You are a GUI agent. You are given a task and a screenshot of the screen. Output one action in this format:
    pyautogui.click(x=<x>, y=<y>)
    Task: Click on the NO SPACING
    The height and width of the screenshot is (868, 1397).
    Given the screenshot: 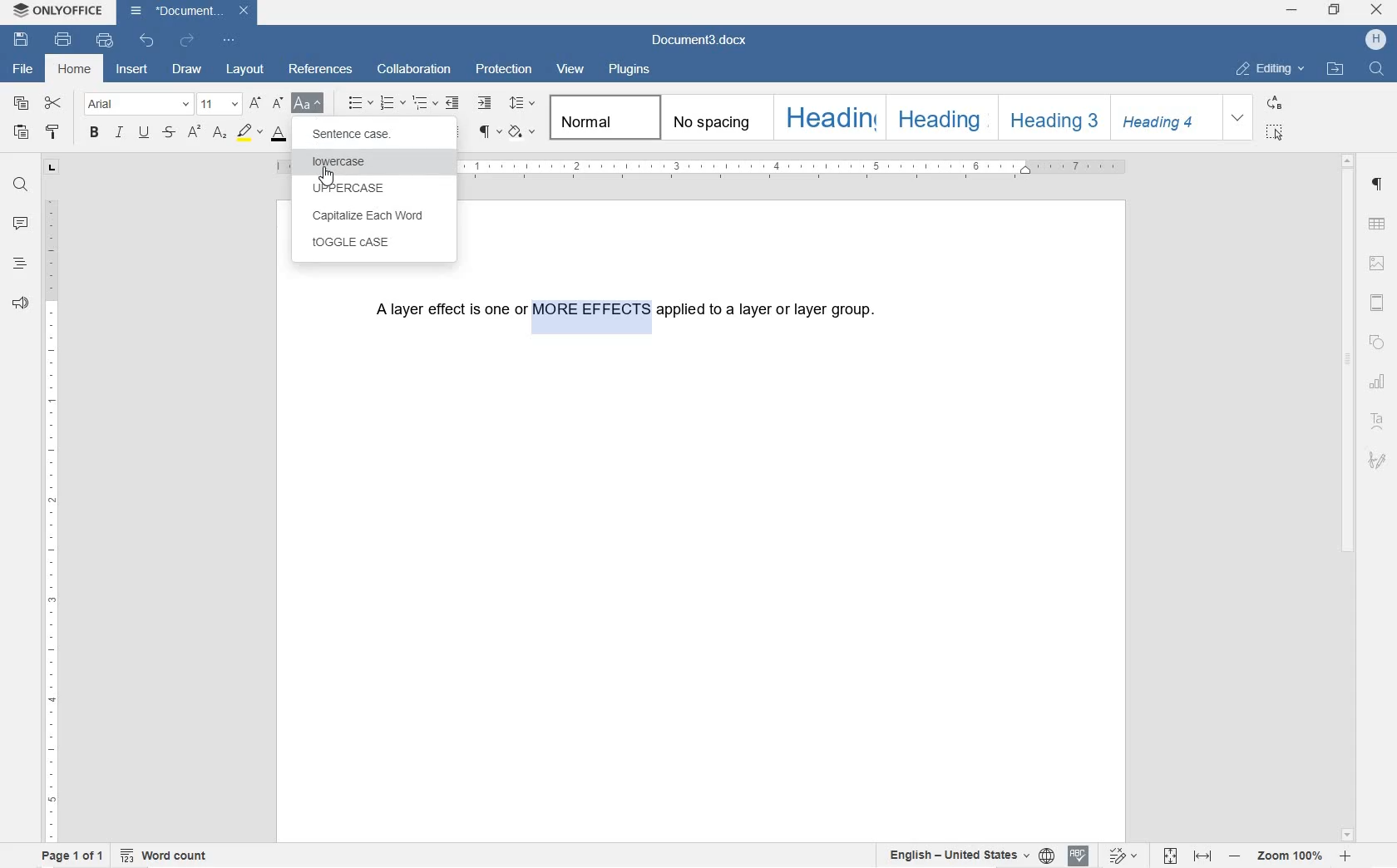 What is the action you would take?
    pyautogui.click(x=712, y=117)
    